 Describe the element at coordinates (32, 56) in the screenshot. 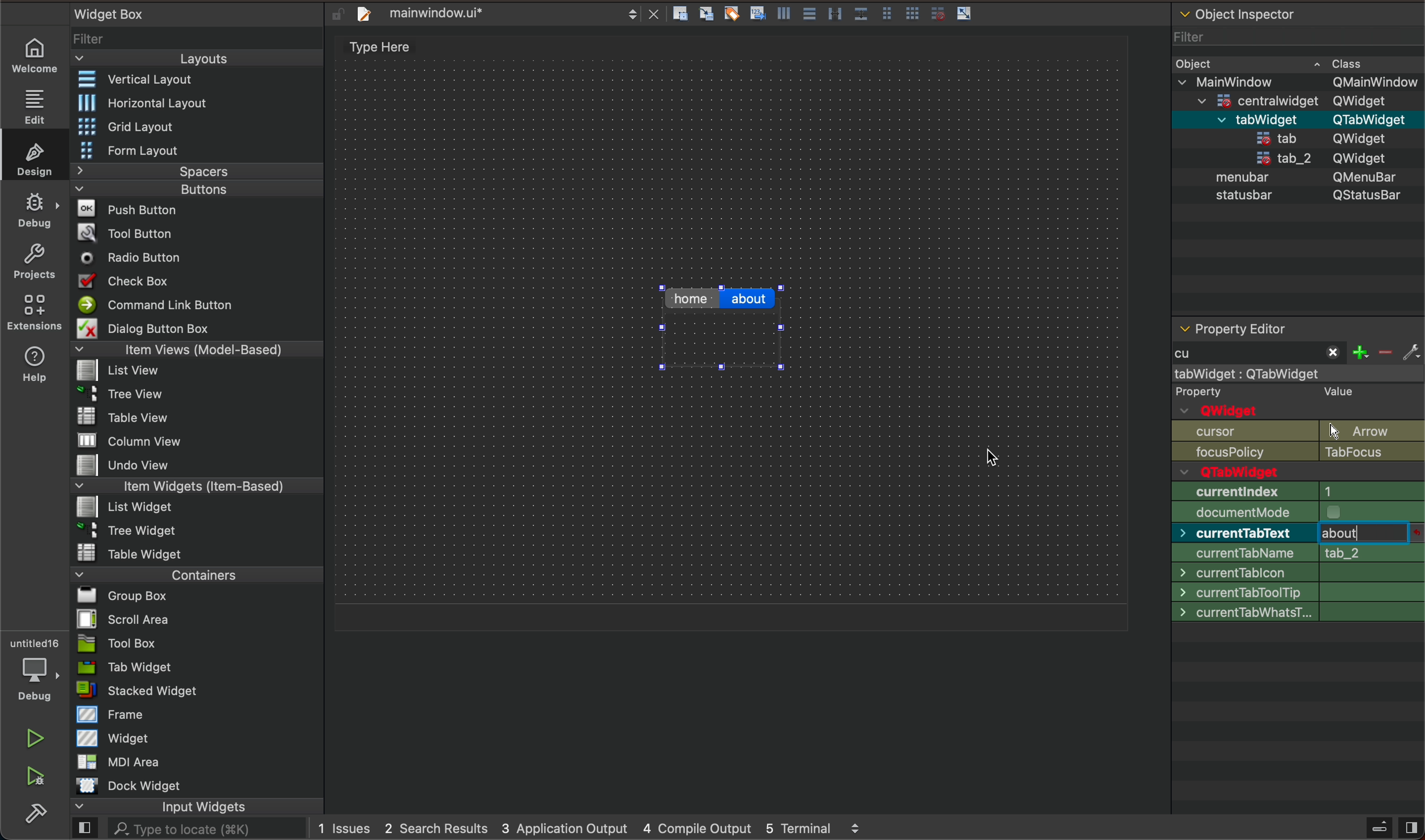

I see `welcome` at that location.